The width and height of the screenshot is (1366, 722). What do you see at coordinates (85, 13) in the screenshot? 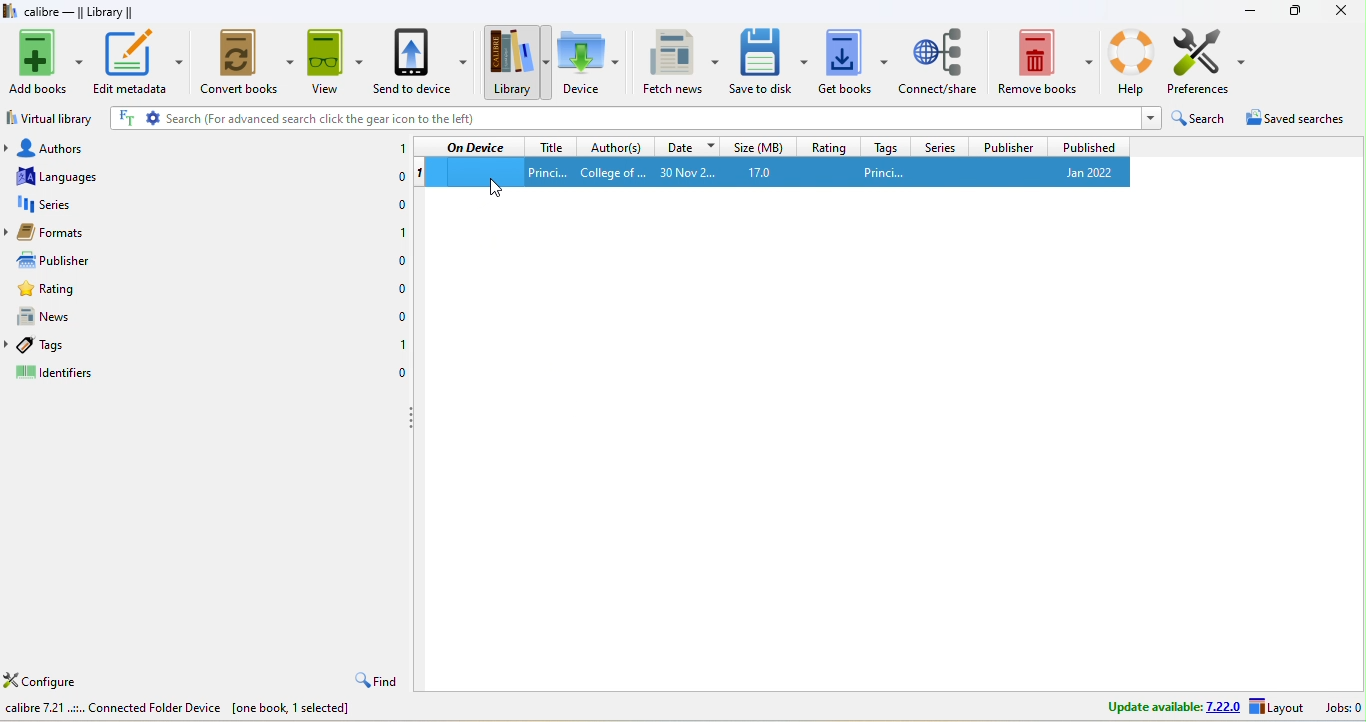
I see `calibre-library` at bounding box center [85, 13].